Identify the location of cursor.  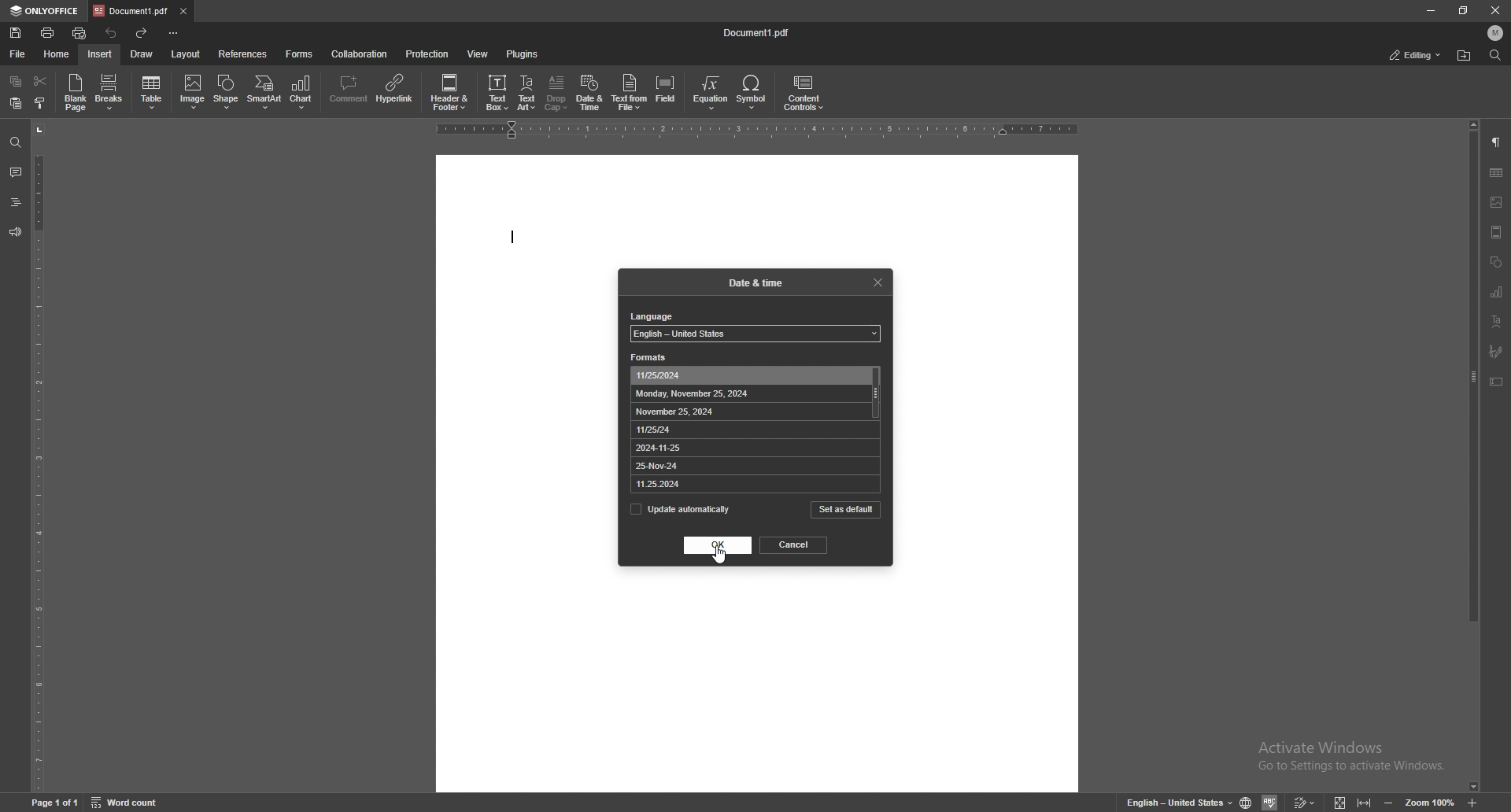
(729, 558).